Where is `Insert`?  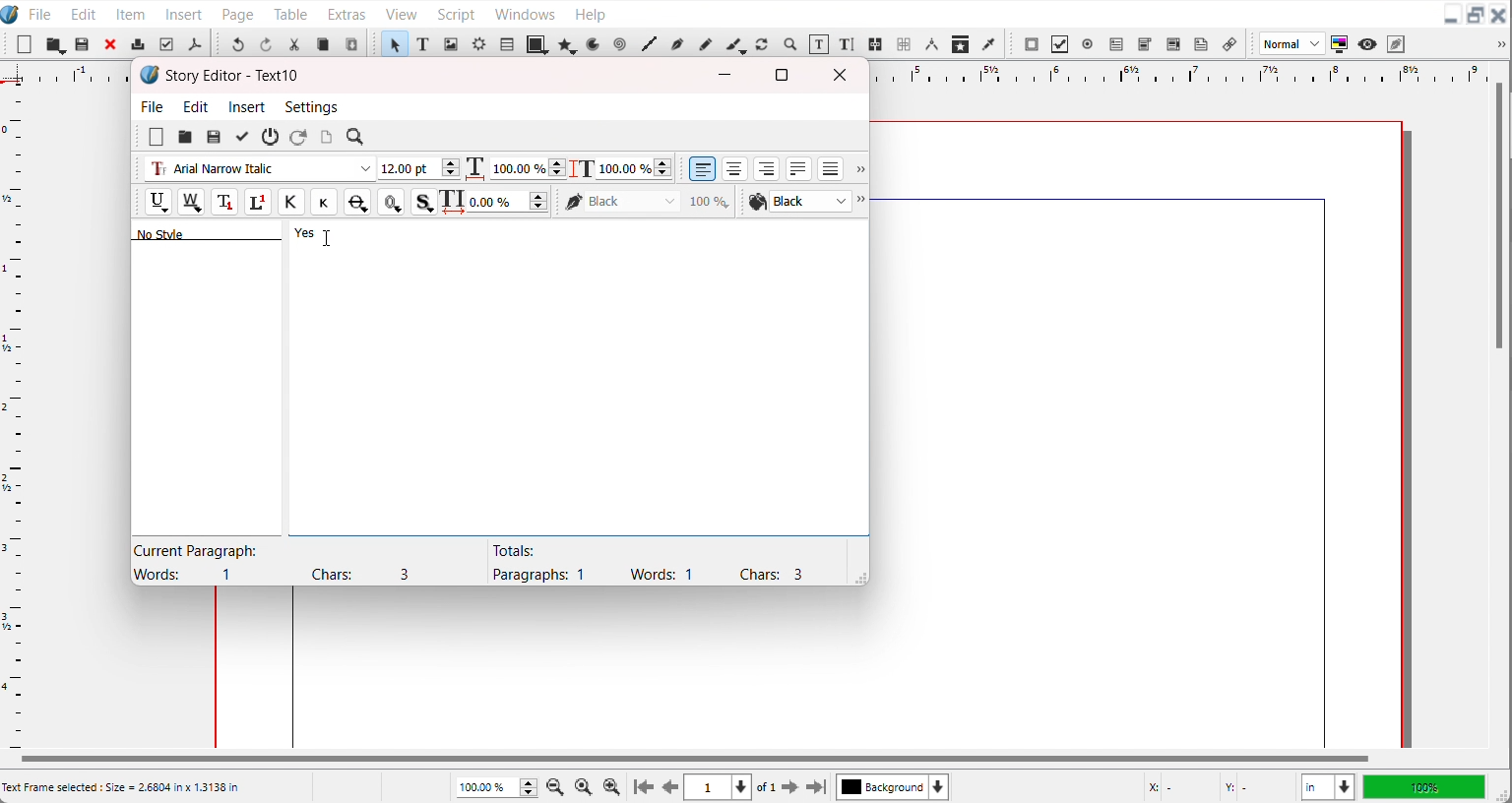
Insert is located at coordinates (185, 13).